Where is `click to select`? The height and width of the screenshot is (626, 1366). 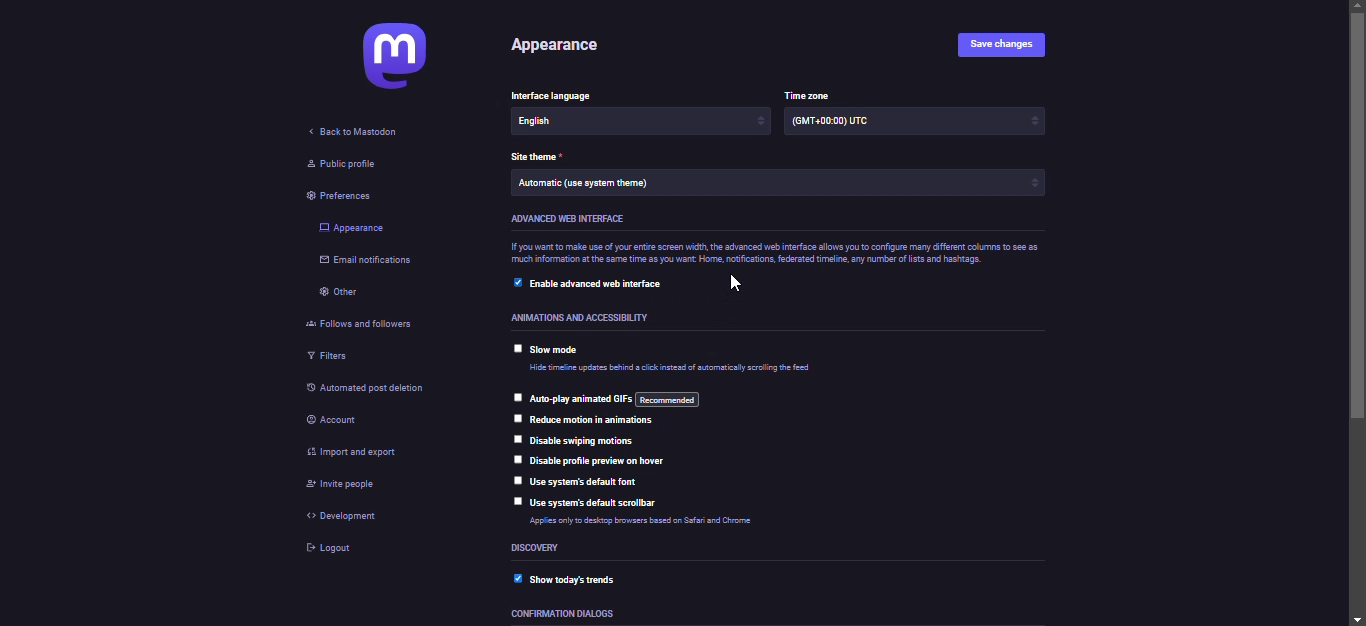 click to select is located at coordinates (514, 347).